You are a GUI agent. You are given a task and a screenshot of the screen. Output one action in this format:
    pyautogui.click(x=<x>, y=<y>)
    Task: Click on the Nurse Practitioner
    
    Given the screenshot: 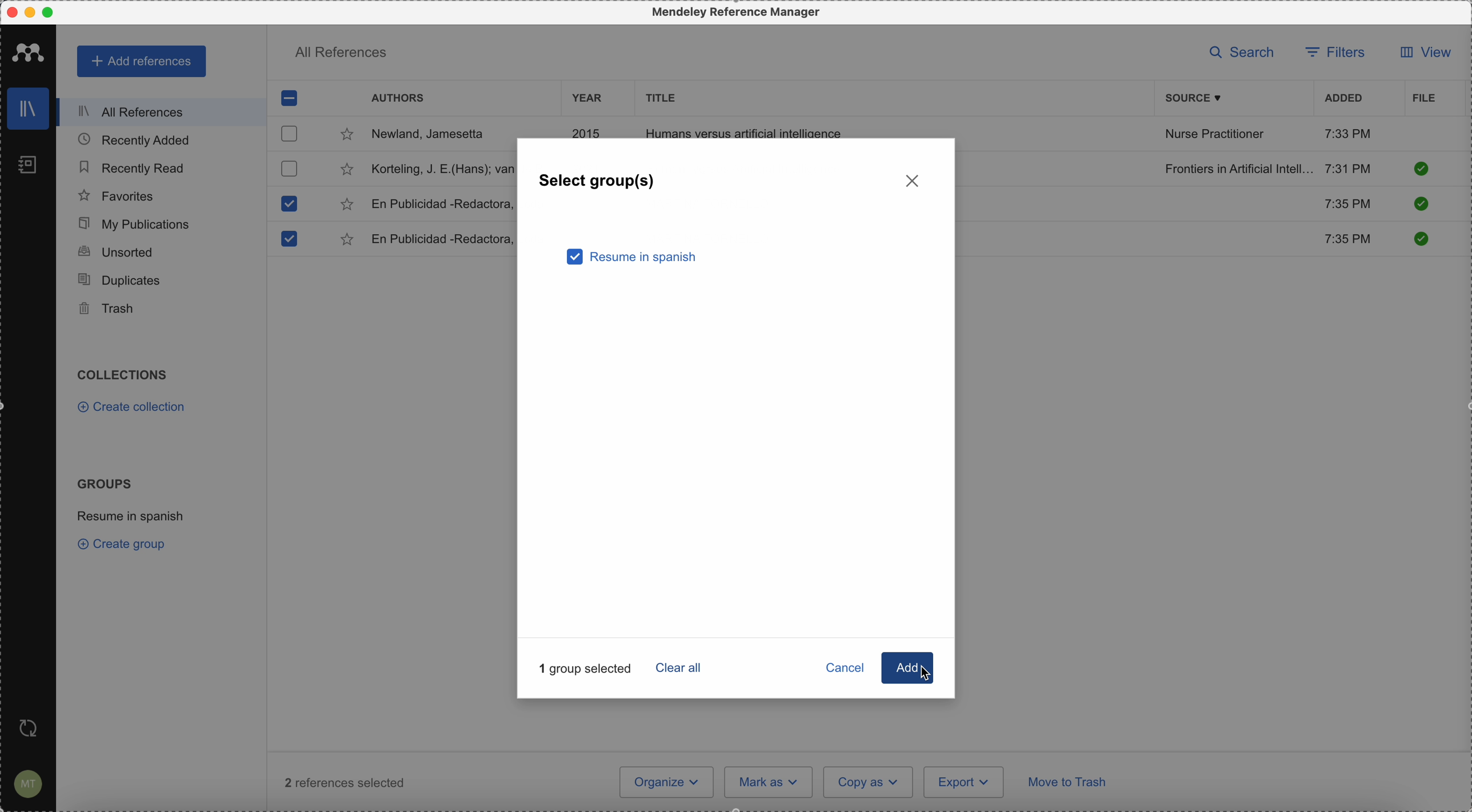 What is the action you would take?
    pyautogui.click(x=1217, y=134)
    